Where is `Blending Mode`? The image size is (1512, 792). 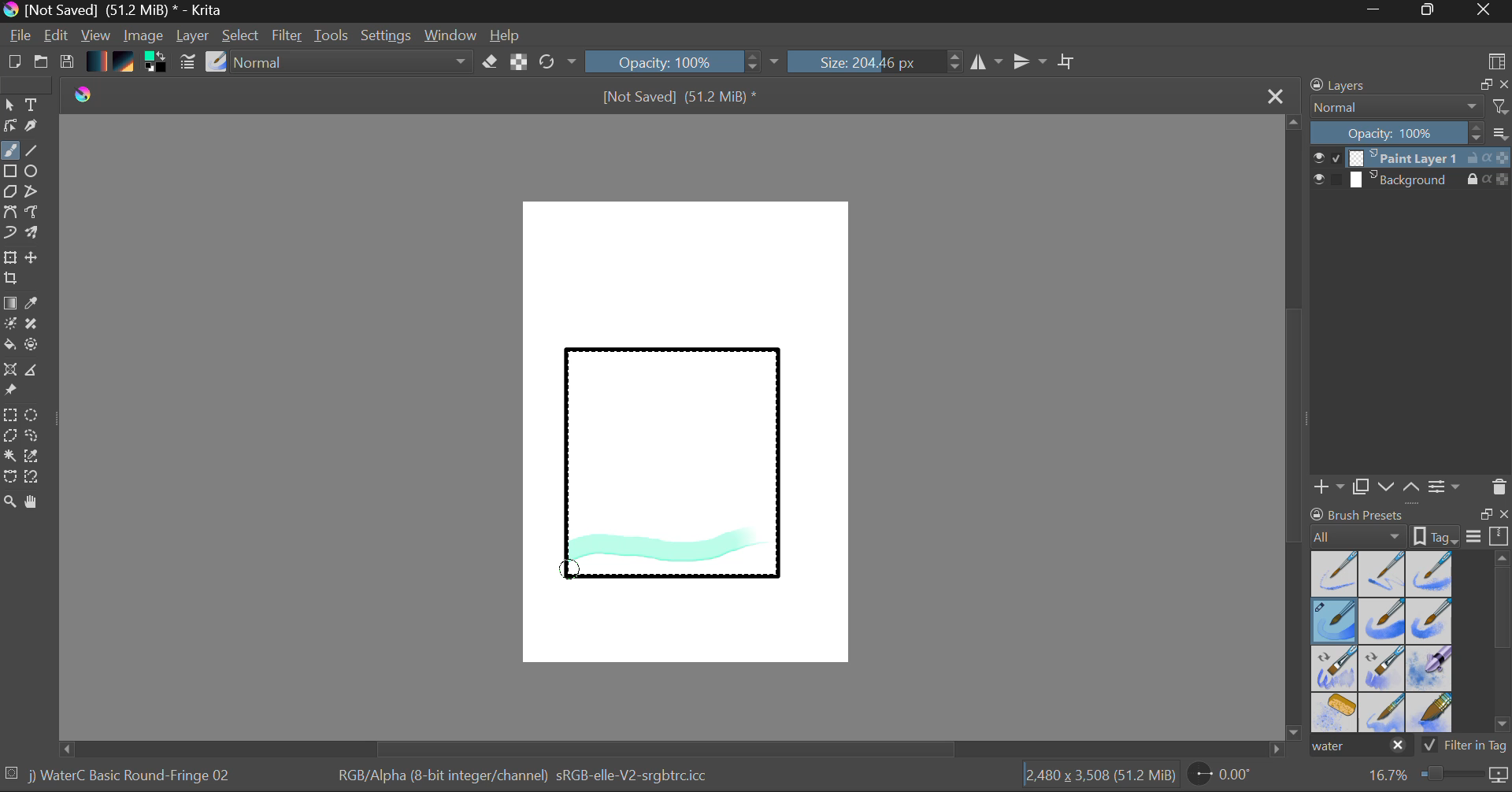
Blending Mode is located at coordinates (1410, 107).